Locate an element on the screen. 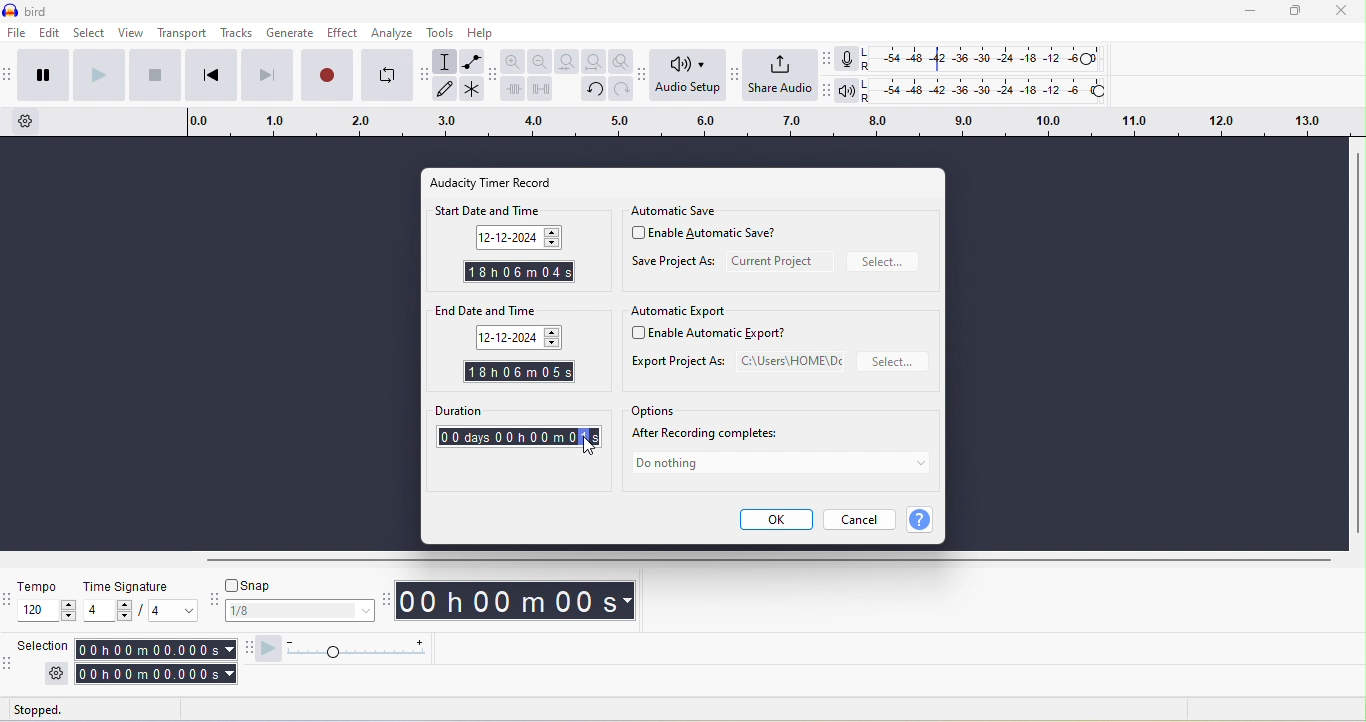 This screenshot has width=1366, height=722. enable automatic export? is located at coordinates (718, 335).